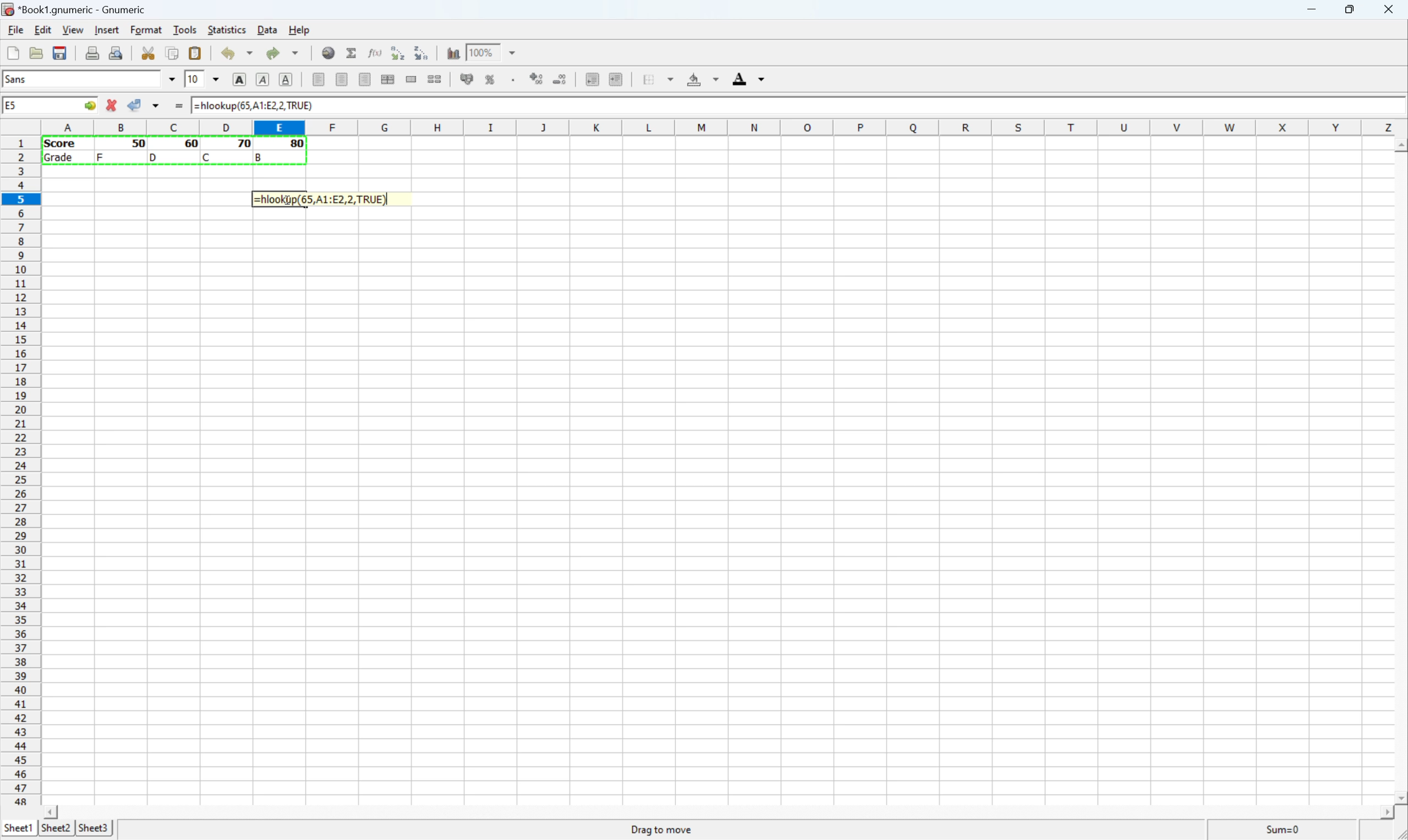 The width and height of the screenshot is (1408, 840). What do you see at coordinates (76, 8) in the screenshot?
I see `*Book1.gnumeric - Gnumeric` at bounding box center [76, 8].